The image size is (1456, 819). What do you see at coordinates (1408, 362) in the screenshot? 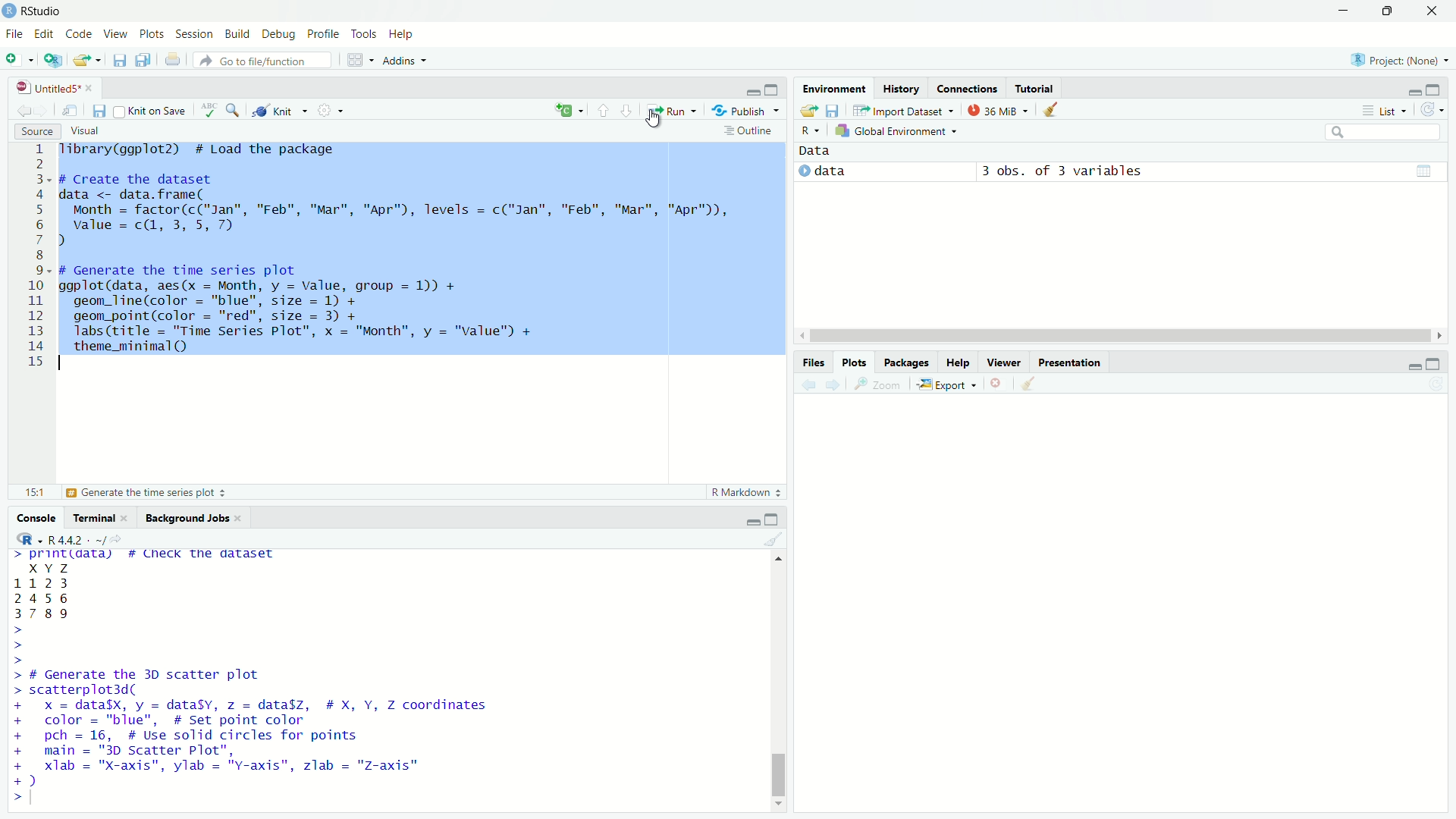
I see `minimize` at bounding box center [1408, 362].